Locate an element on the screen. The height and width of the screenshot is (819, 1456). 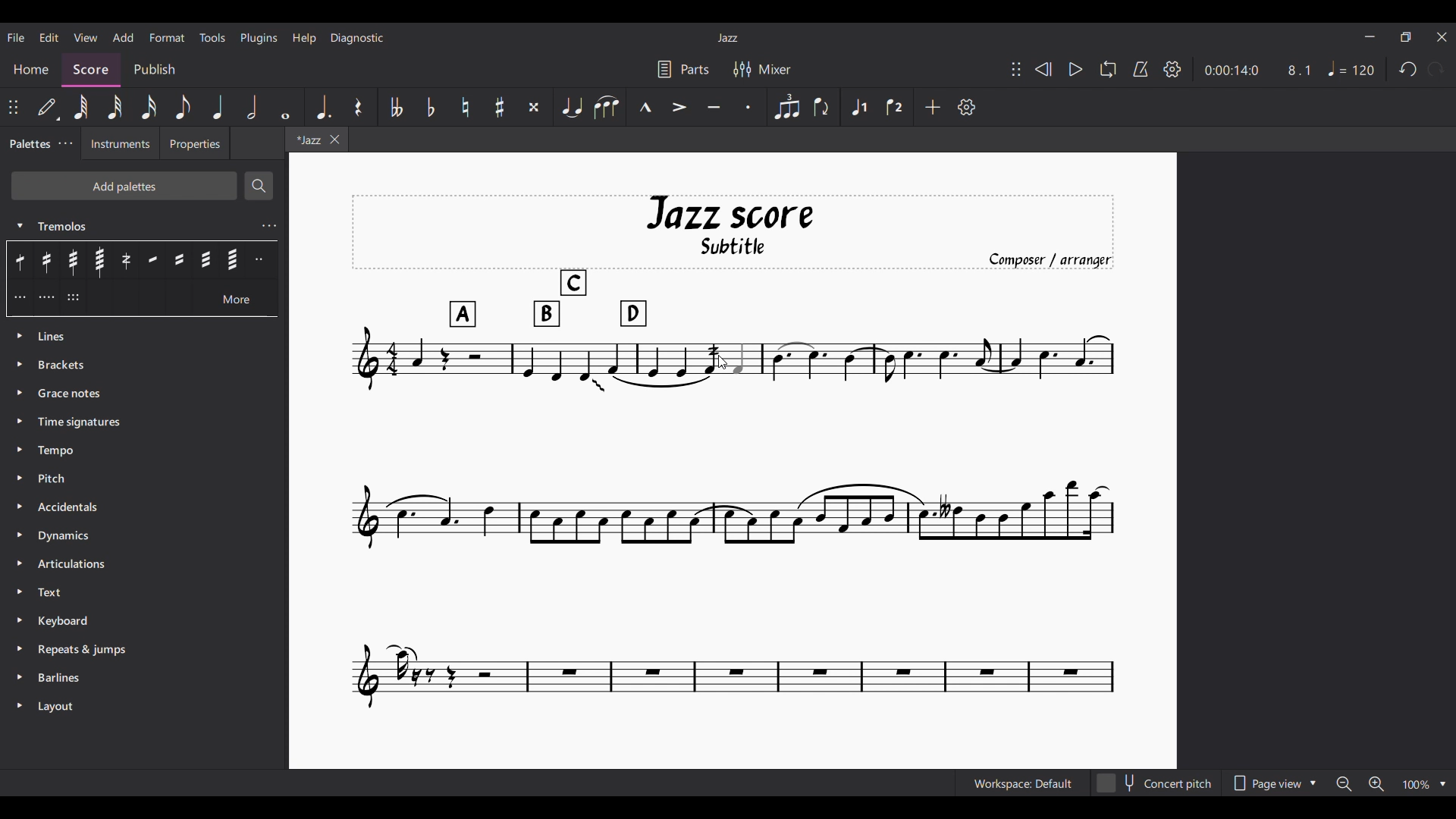
8th between notes is located at coordinates (152, 259).